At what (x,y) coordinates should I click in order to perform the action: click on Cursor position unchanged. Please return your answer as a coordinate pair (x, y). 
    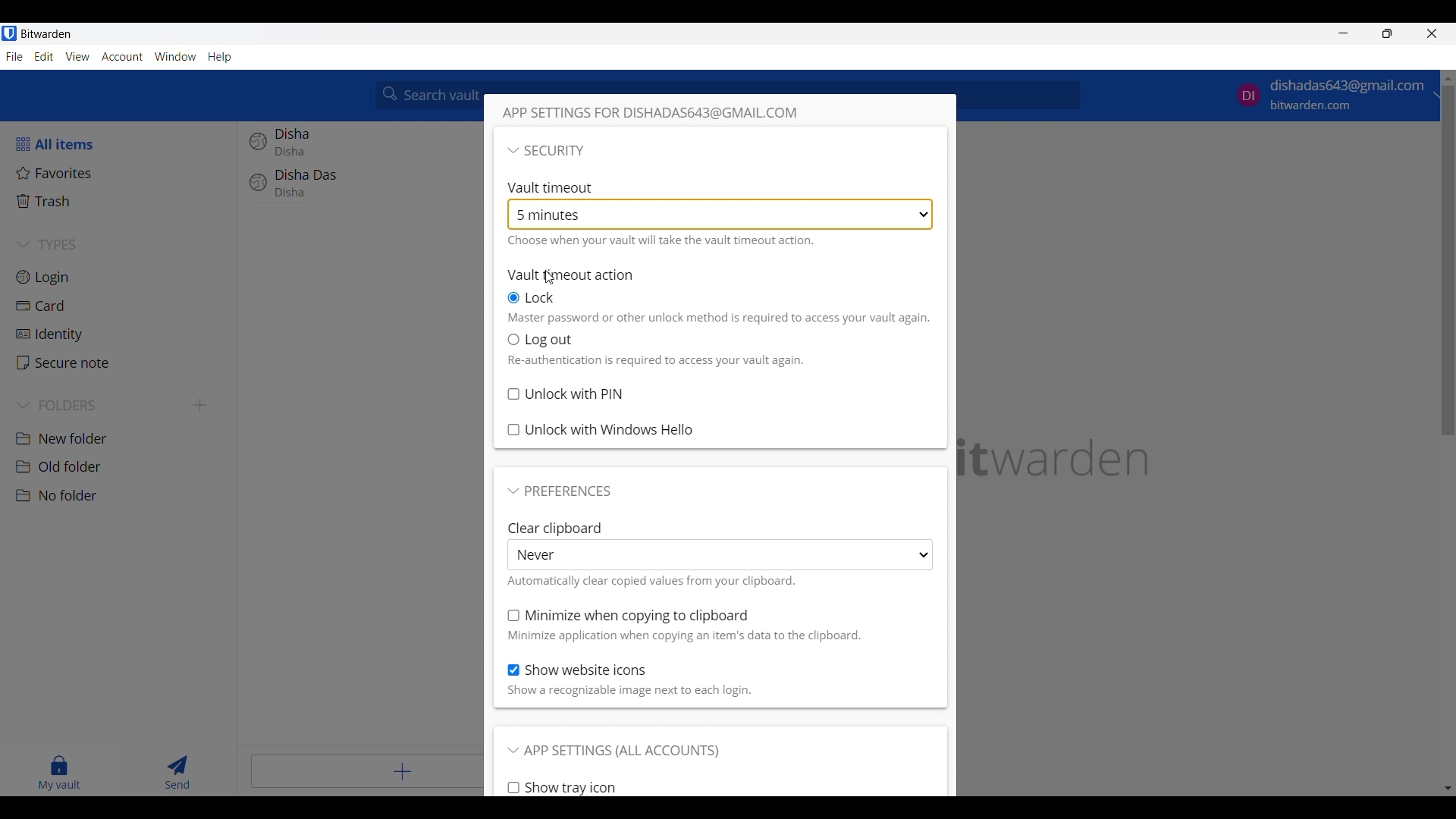
    Looking at the image, I should click on (551, 278).